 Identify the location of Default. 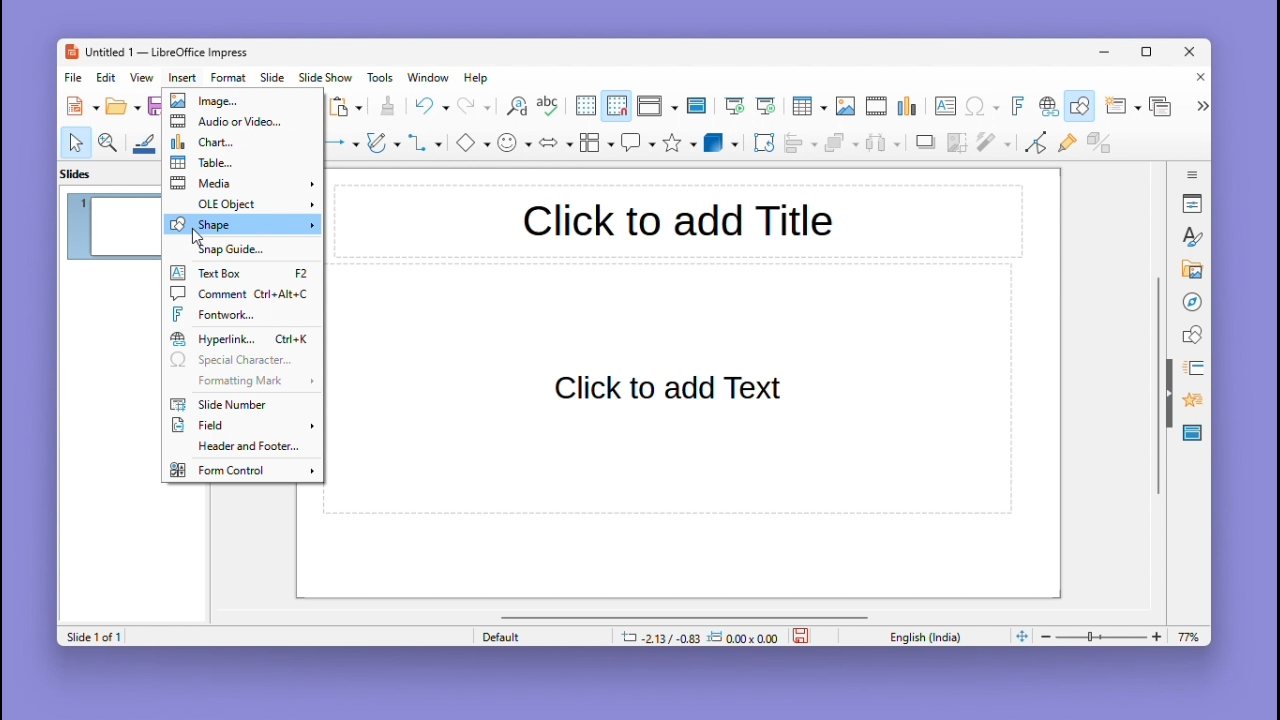
(539, 636).